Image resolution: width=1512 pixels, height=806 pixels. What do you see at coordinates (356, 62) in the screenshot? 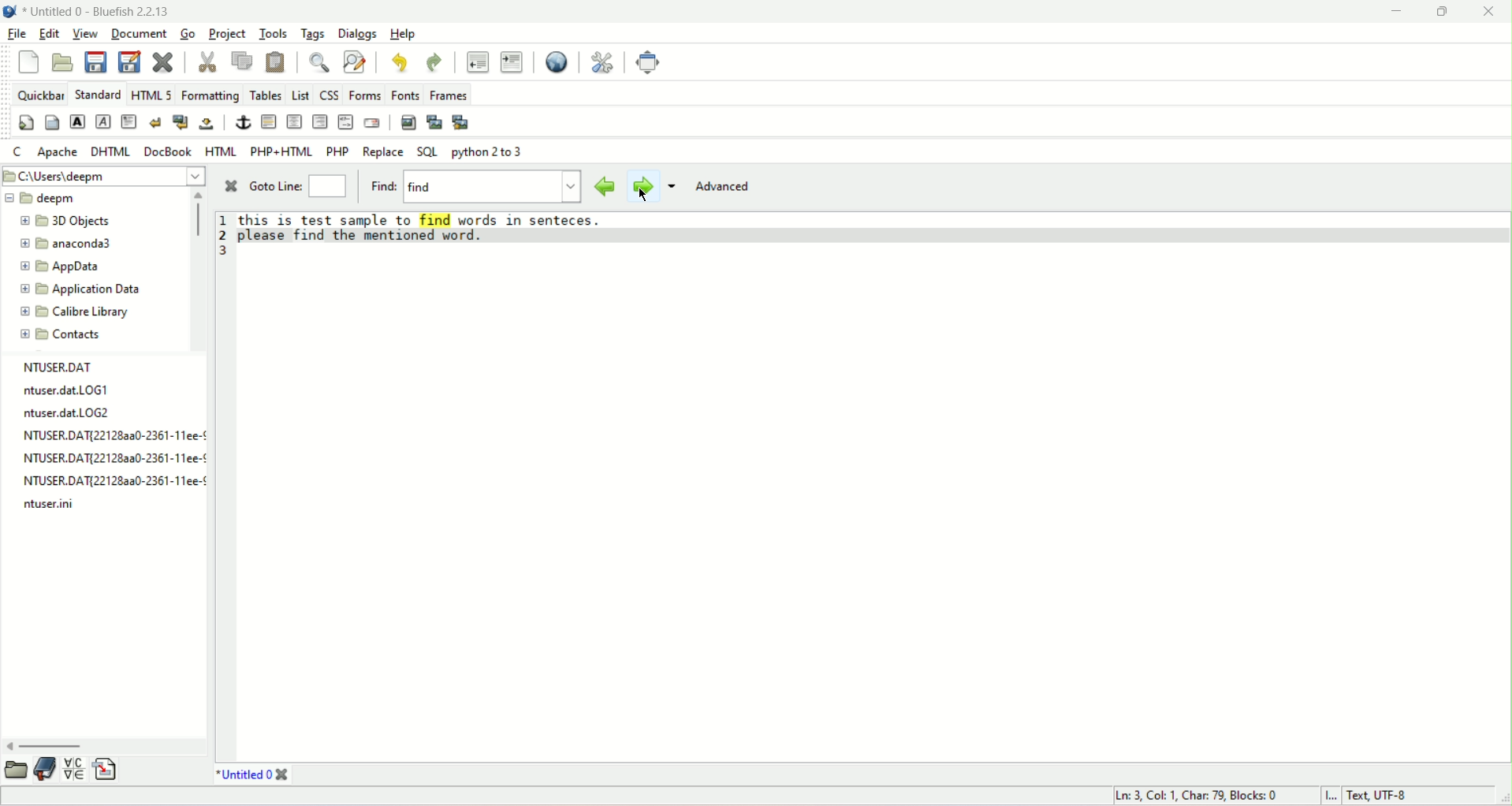
I see `advanced find and replace` at bounding box center [356, 62].